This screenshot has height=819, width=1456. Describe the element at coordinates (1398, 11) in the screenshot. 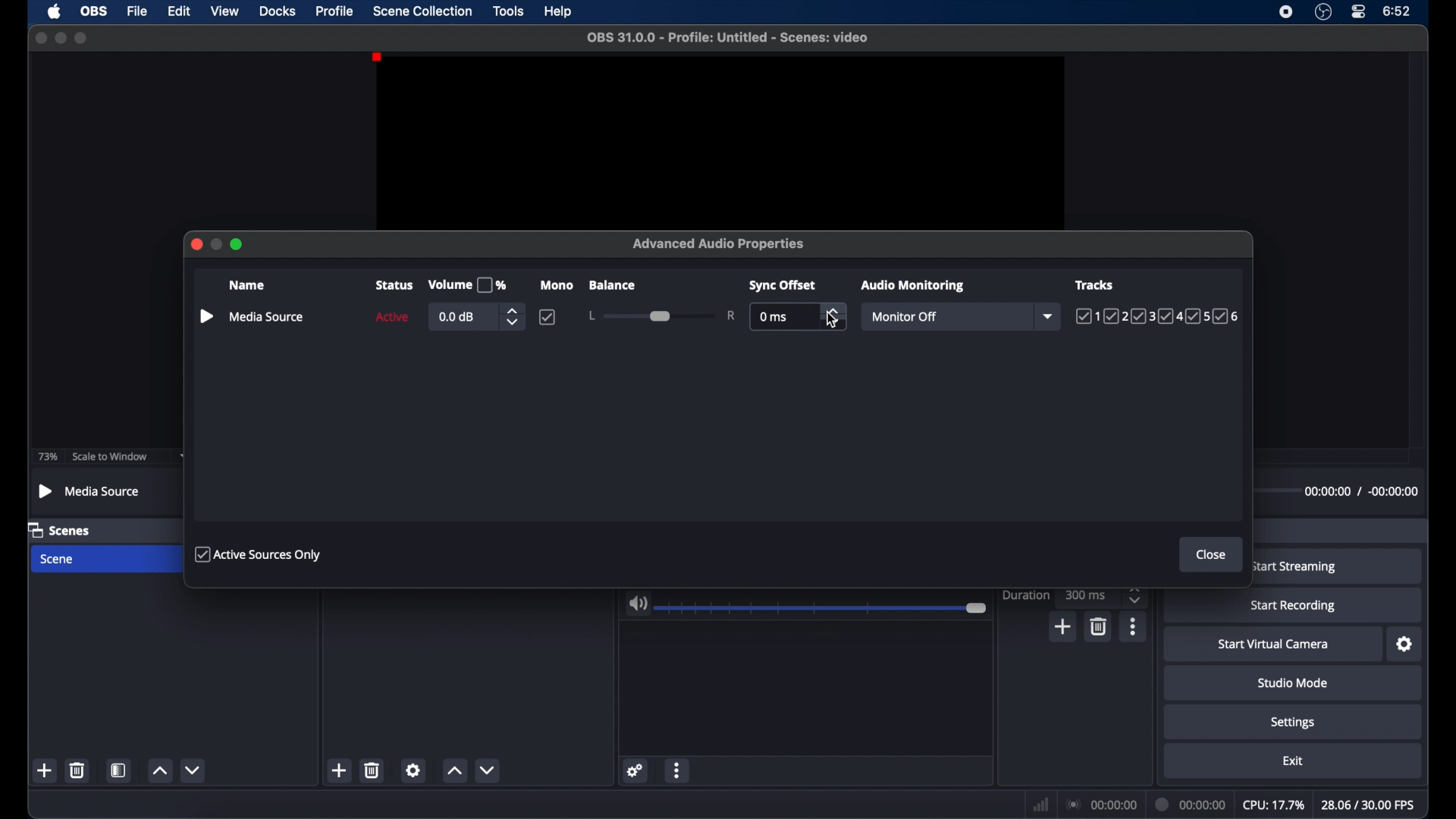

I see `time` at that location.